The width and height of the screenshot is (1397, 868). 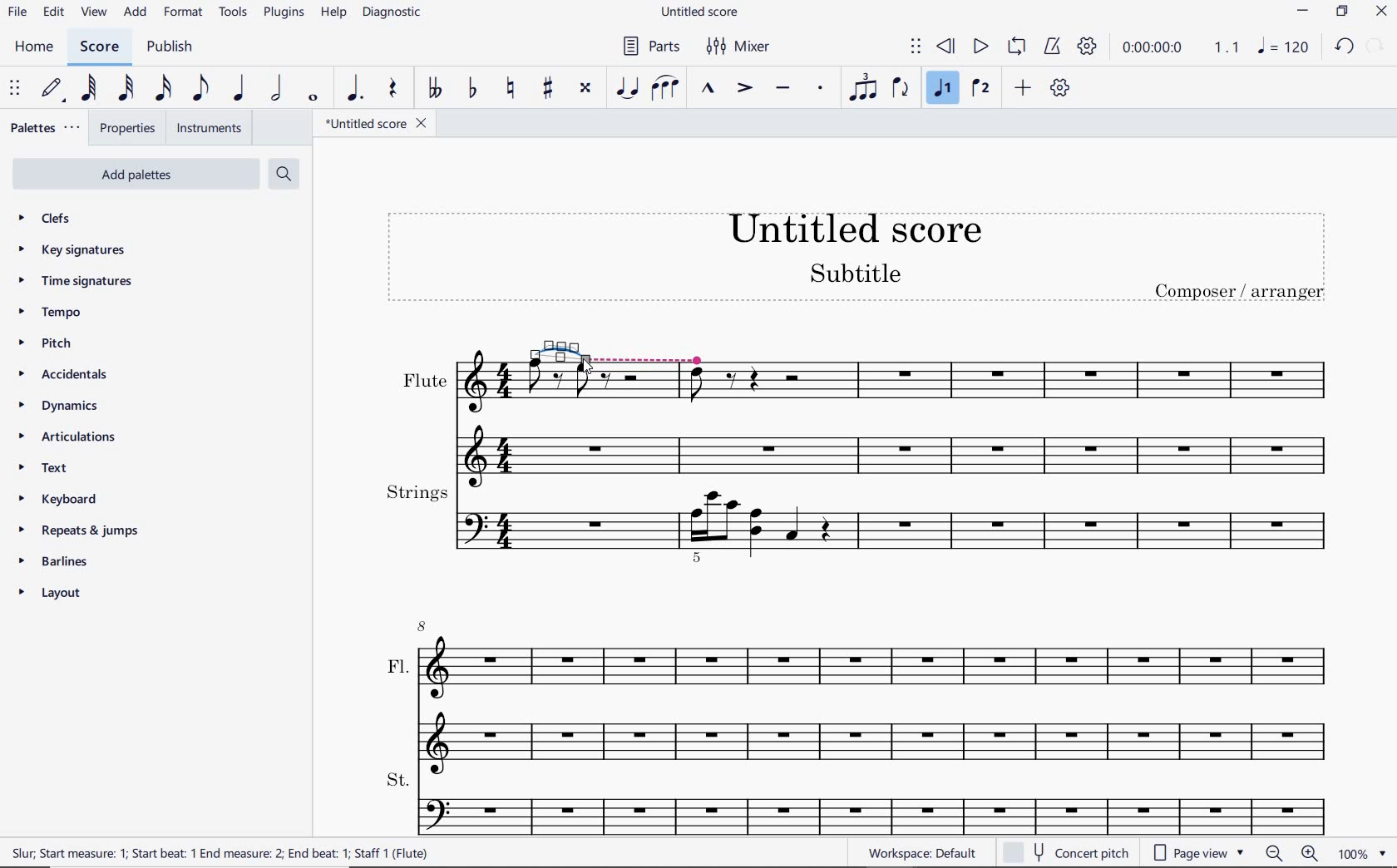 I want to click on pitch, so click(x=52, y=344).